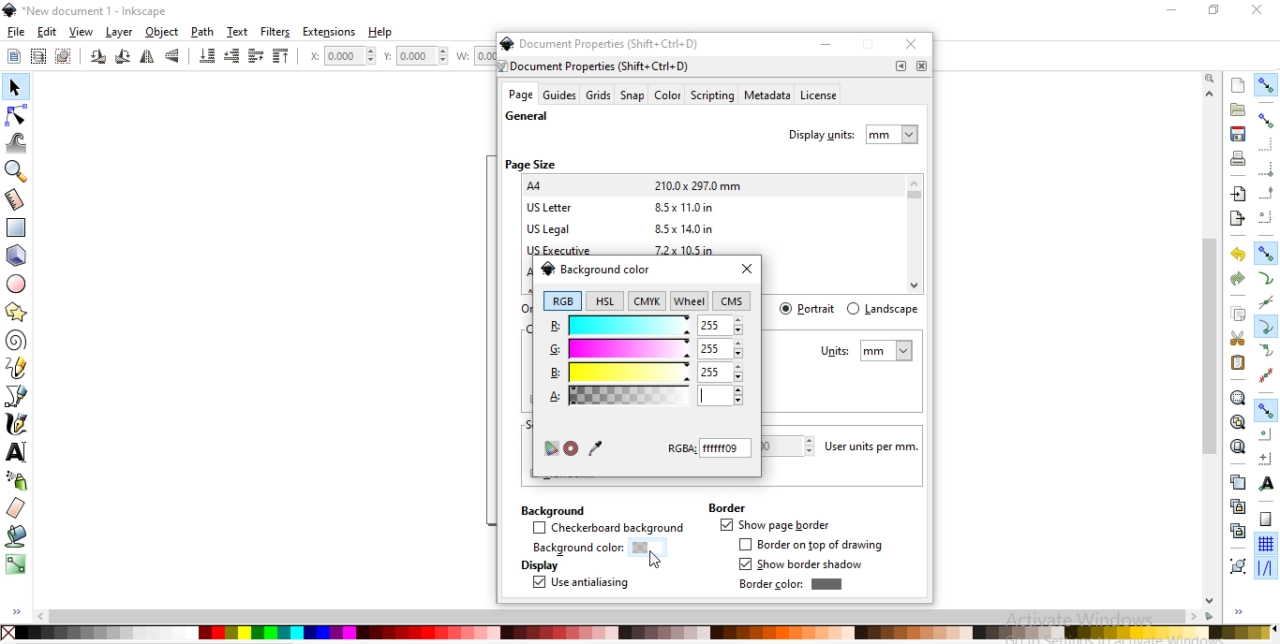 The image size is (1280, 644). What do you see at coordinates (1236, 158) in the screenshot?
I see `print document` at bounding box center [1236, 158].